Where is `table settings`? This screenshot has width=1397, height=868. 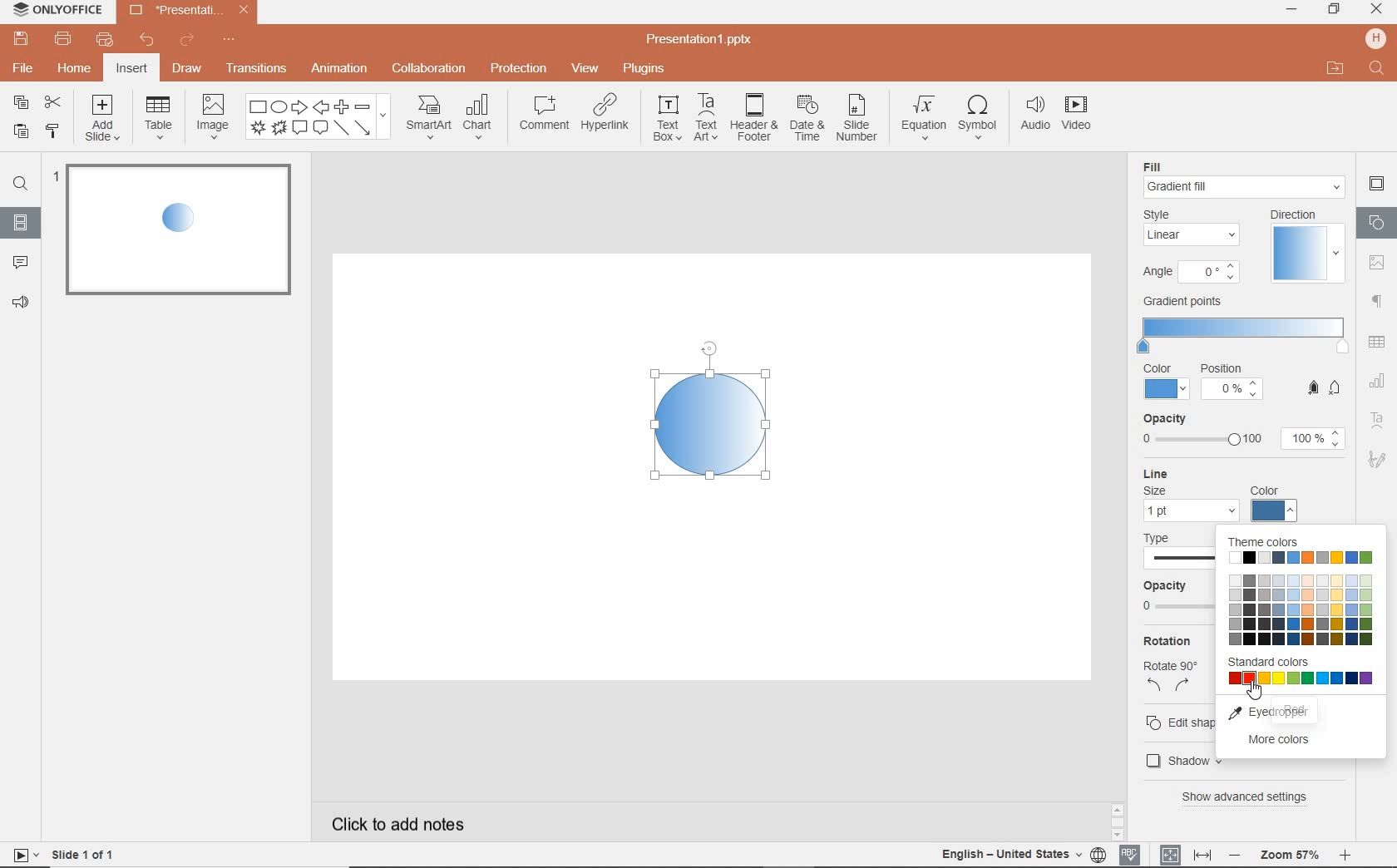 table settings is located at coordinates (1379, 341).